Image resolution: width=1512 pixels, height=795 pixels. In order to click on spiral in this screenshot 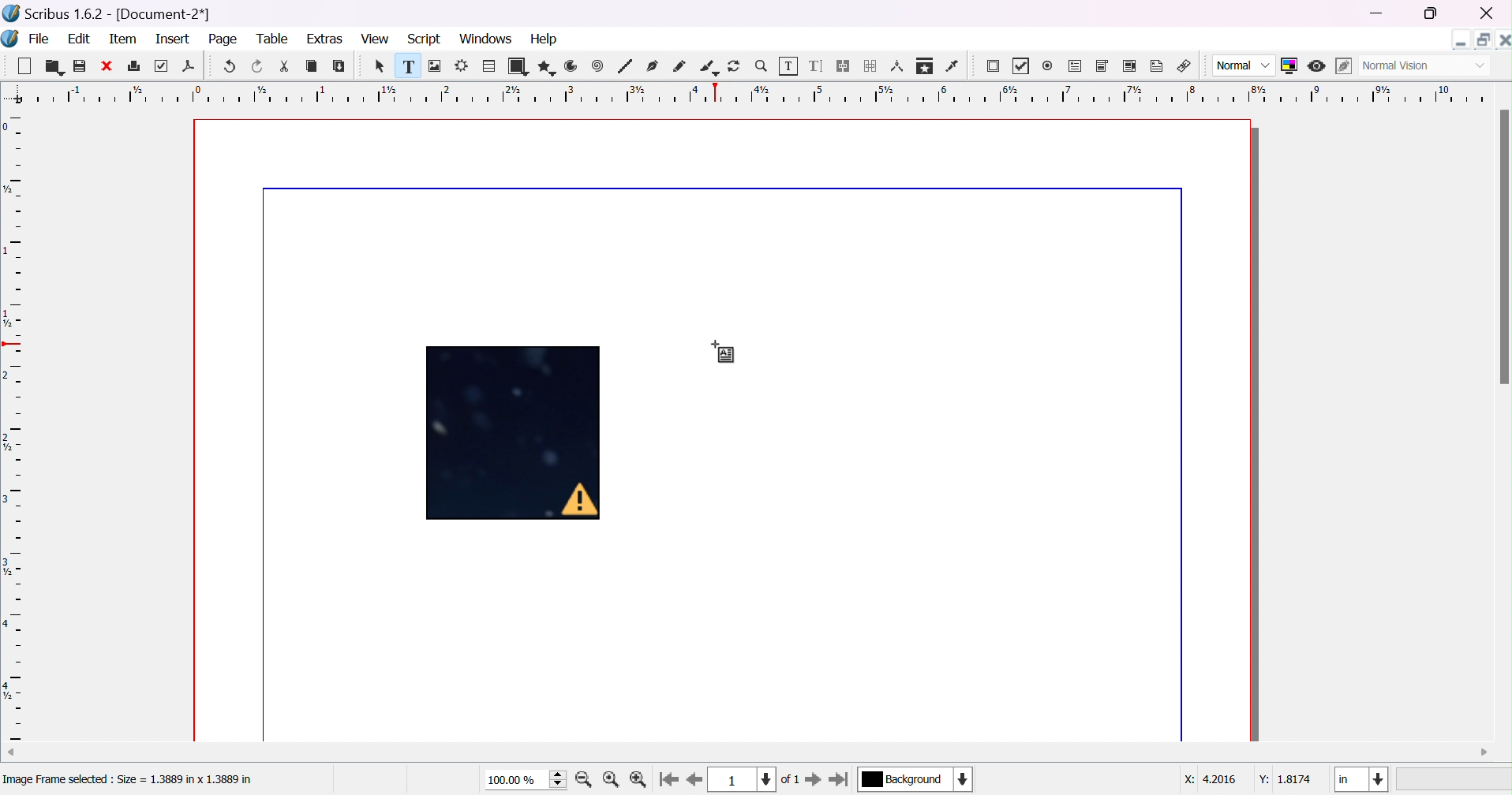, I will do `click(597, 65)`.